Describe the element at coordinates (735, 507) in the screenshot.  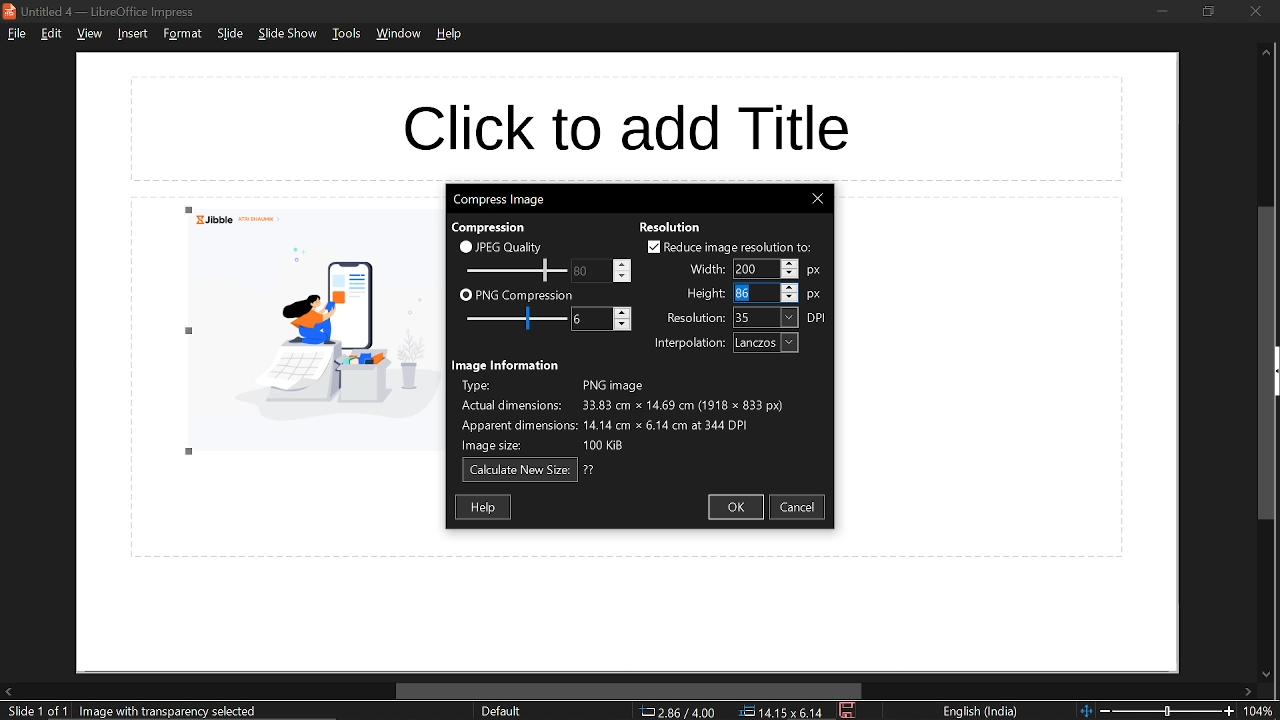
I see `ok` at that location.